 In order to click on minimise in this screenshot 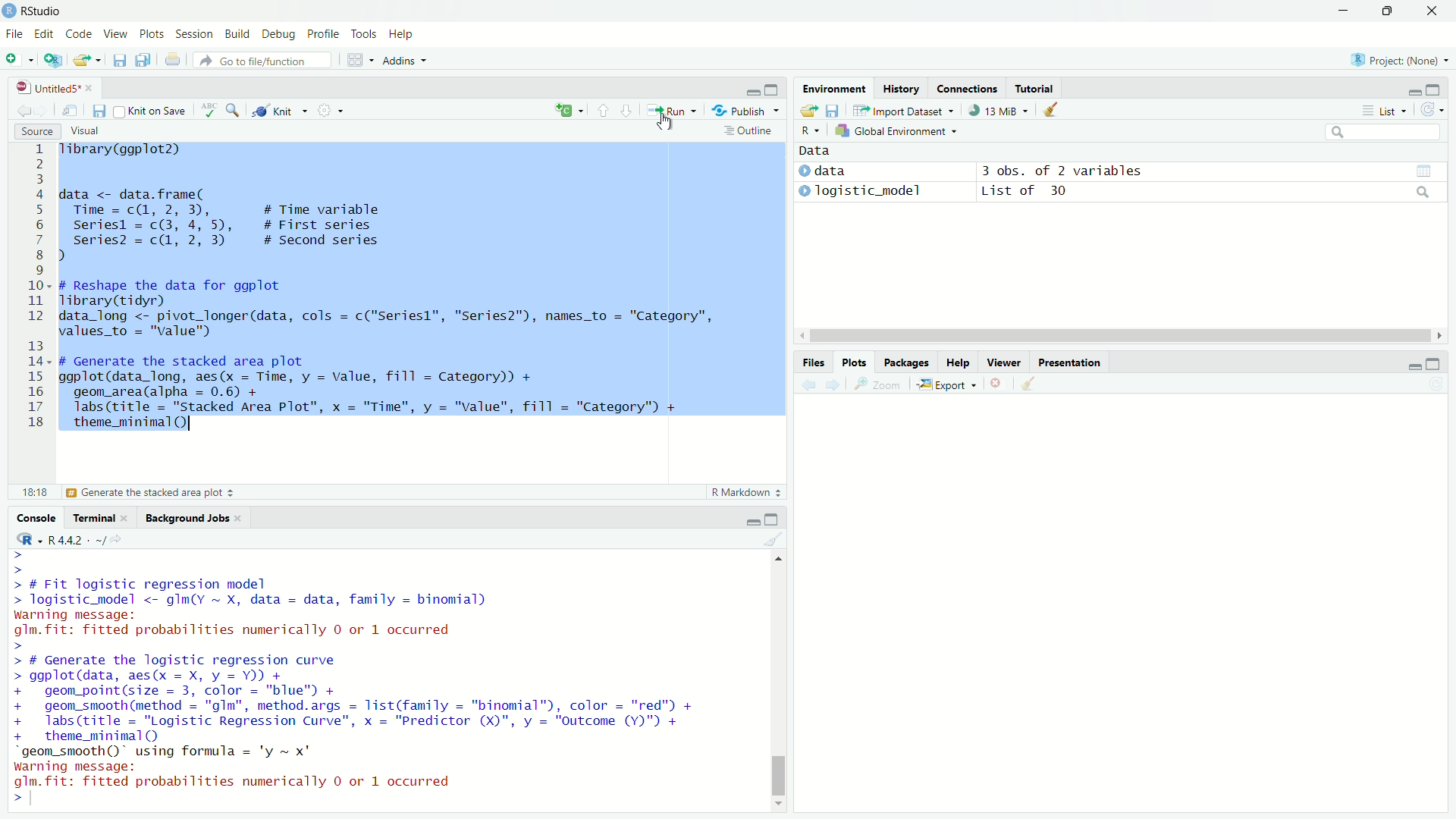, I will do `click(1409, 91)`.